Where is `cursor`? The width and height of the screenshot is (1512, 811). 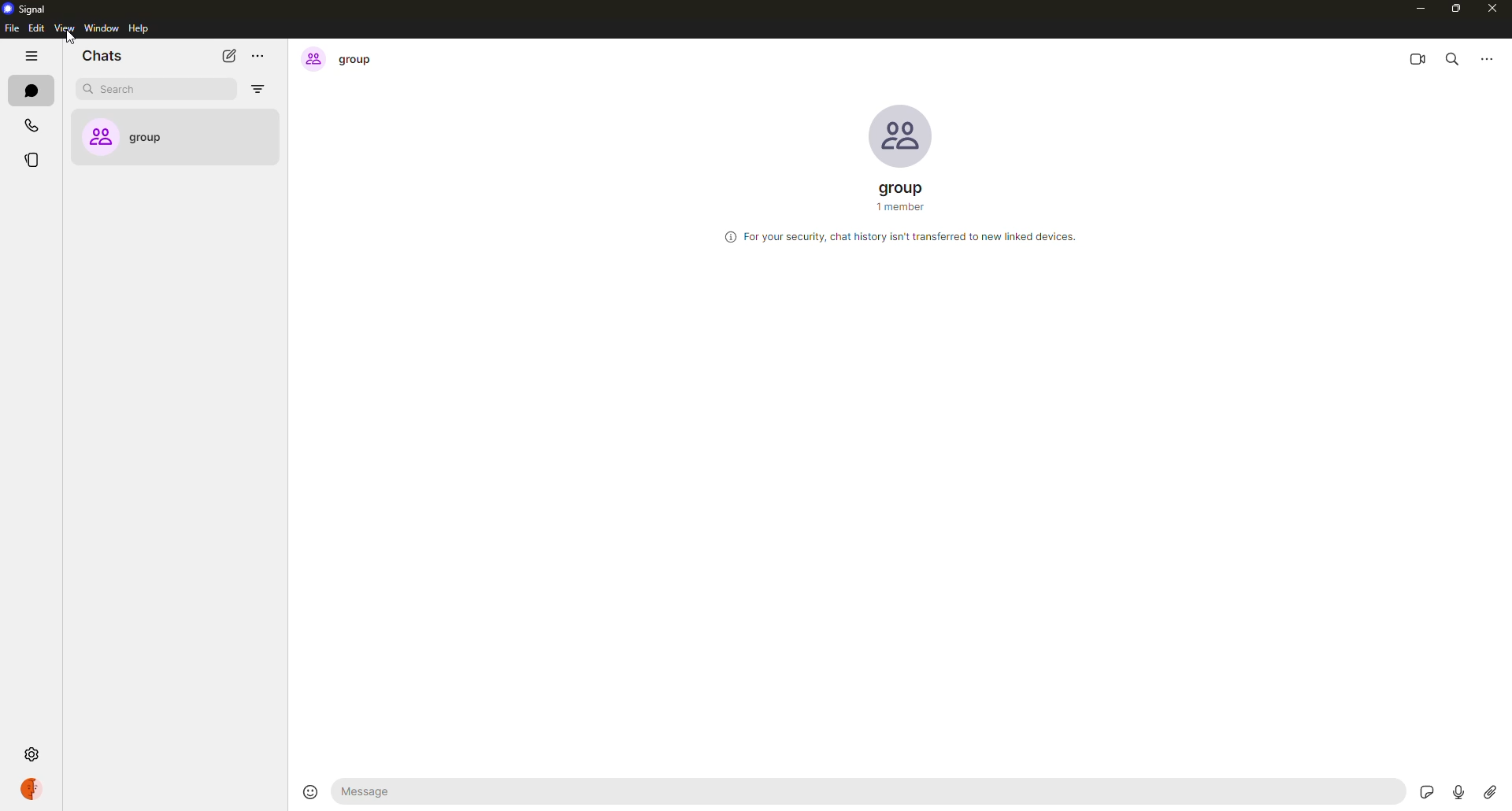 cursor is located at coordinates (67, 39).